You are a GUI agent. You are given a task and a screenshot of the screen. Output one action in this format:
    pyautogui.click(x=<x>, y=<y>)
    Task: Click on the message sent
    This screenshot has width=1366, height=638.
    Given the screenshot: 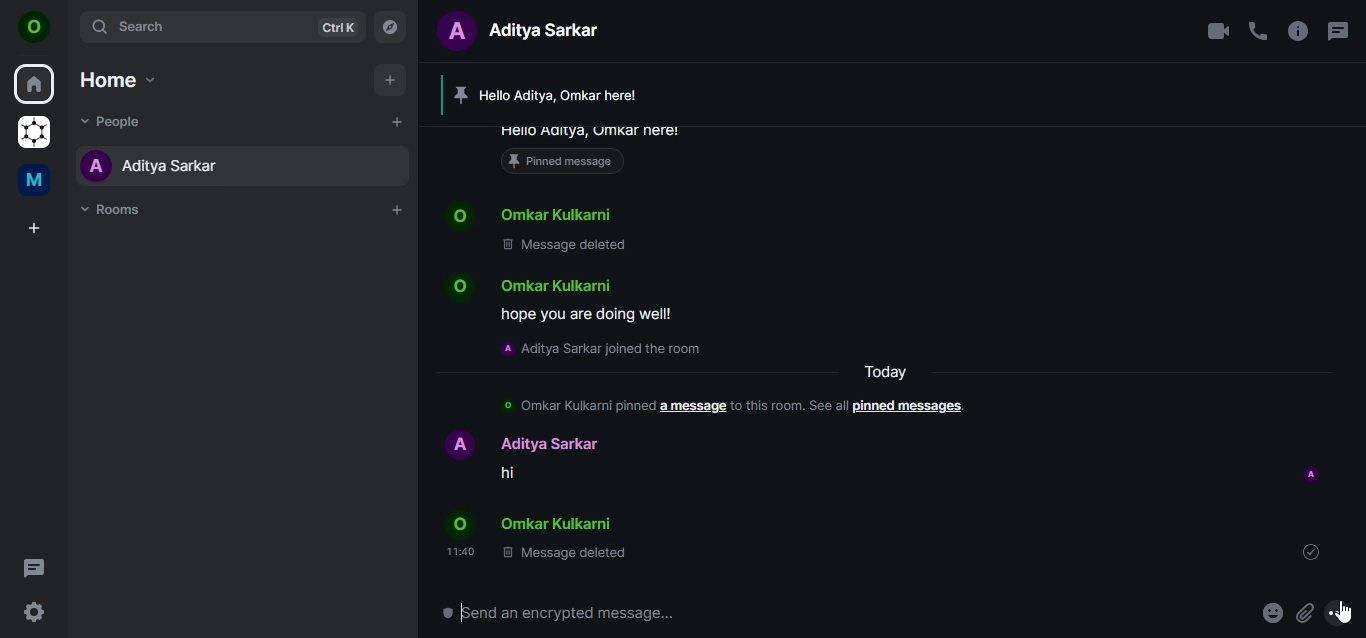 What is the action you would take?
    pyautogui.click(x=1313, y=552)
    